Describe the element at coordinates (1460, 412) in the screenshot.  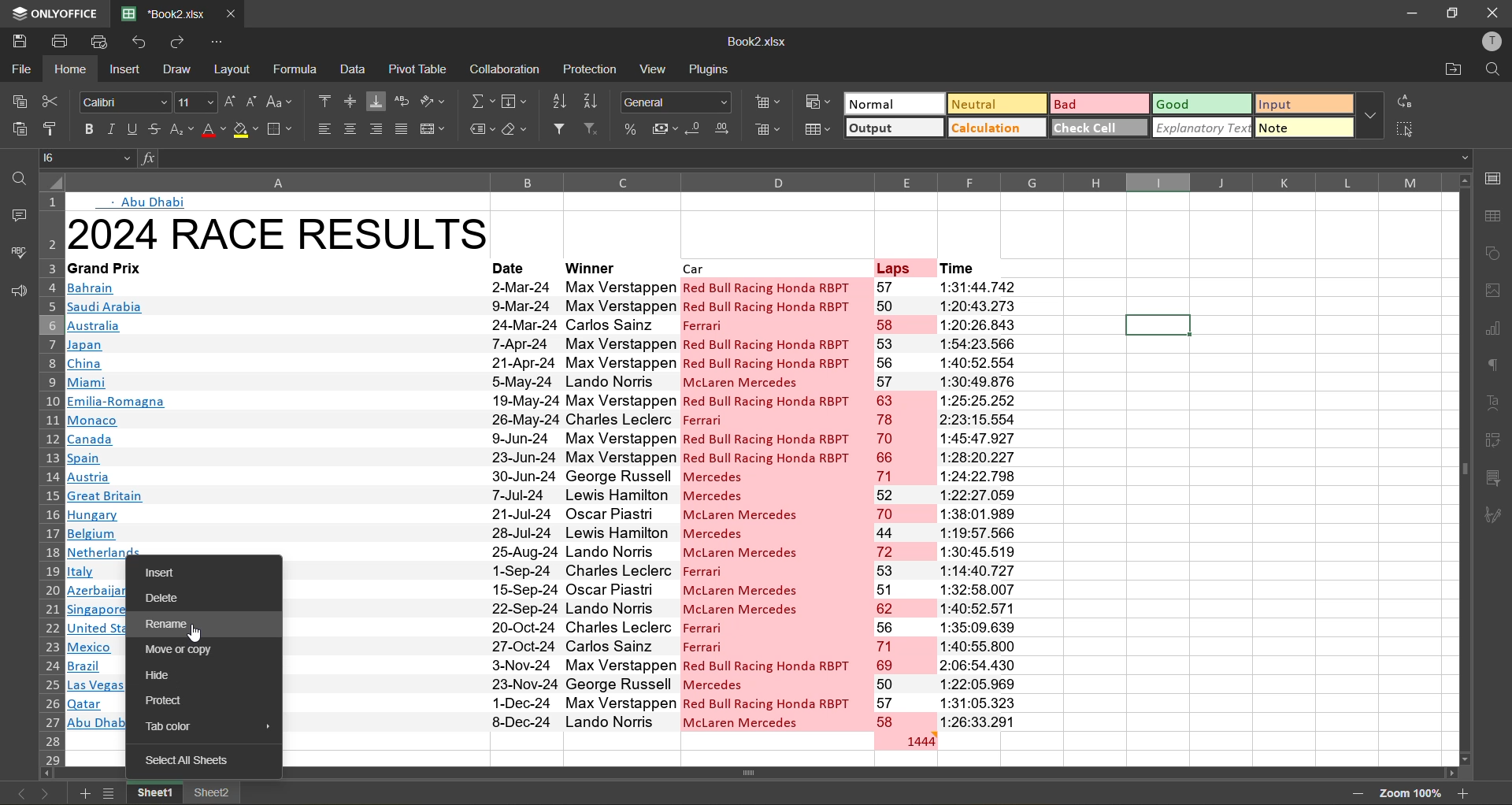
I see `scroll bar` at that location.